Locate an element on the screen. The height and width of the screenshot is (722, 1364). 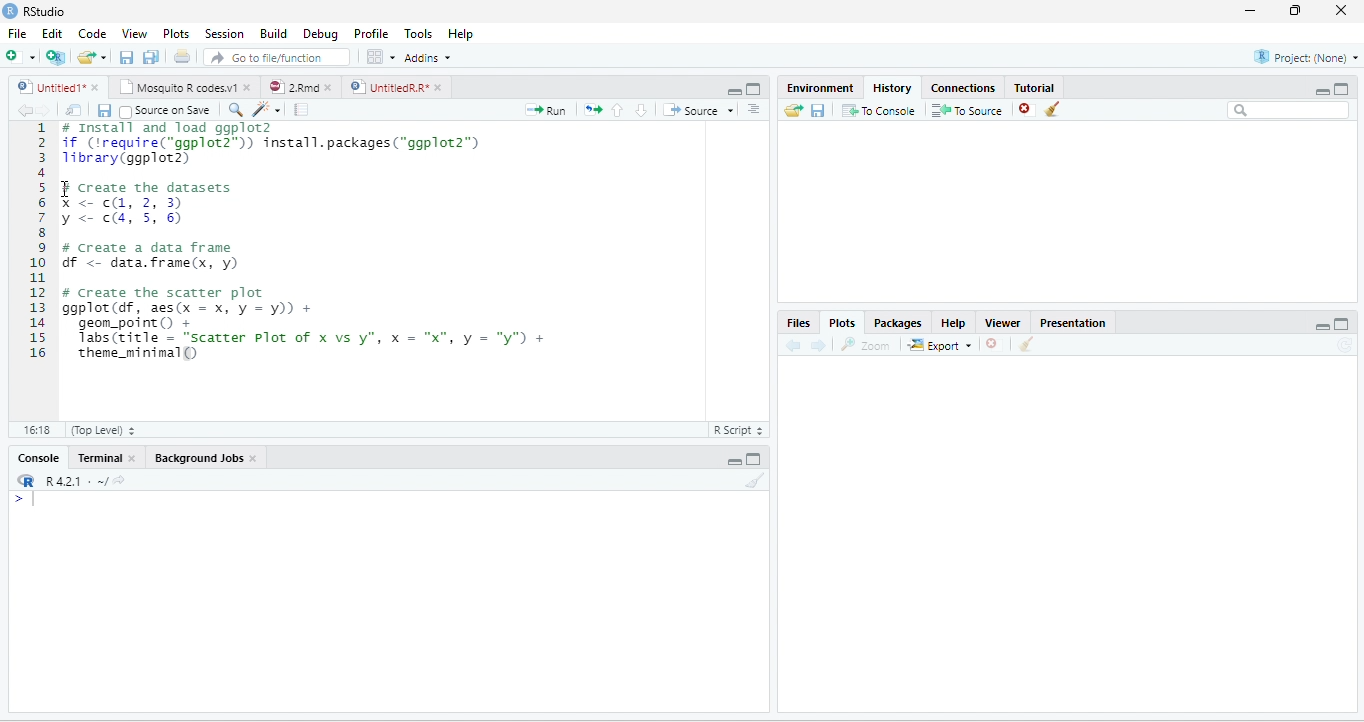
Run is located at coordinates (546, 110).